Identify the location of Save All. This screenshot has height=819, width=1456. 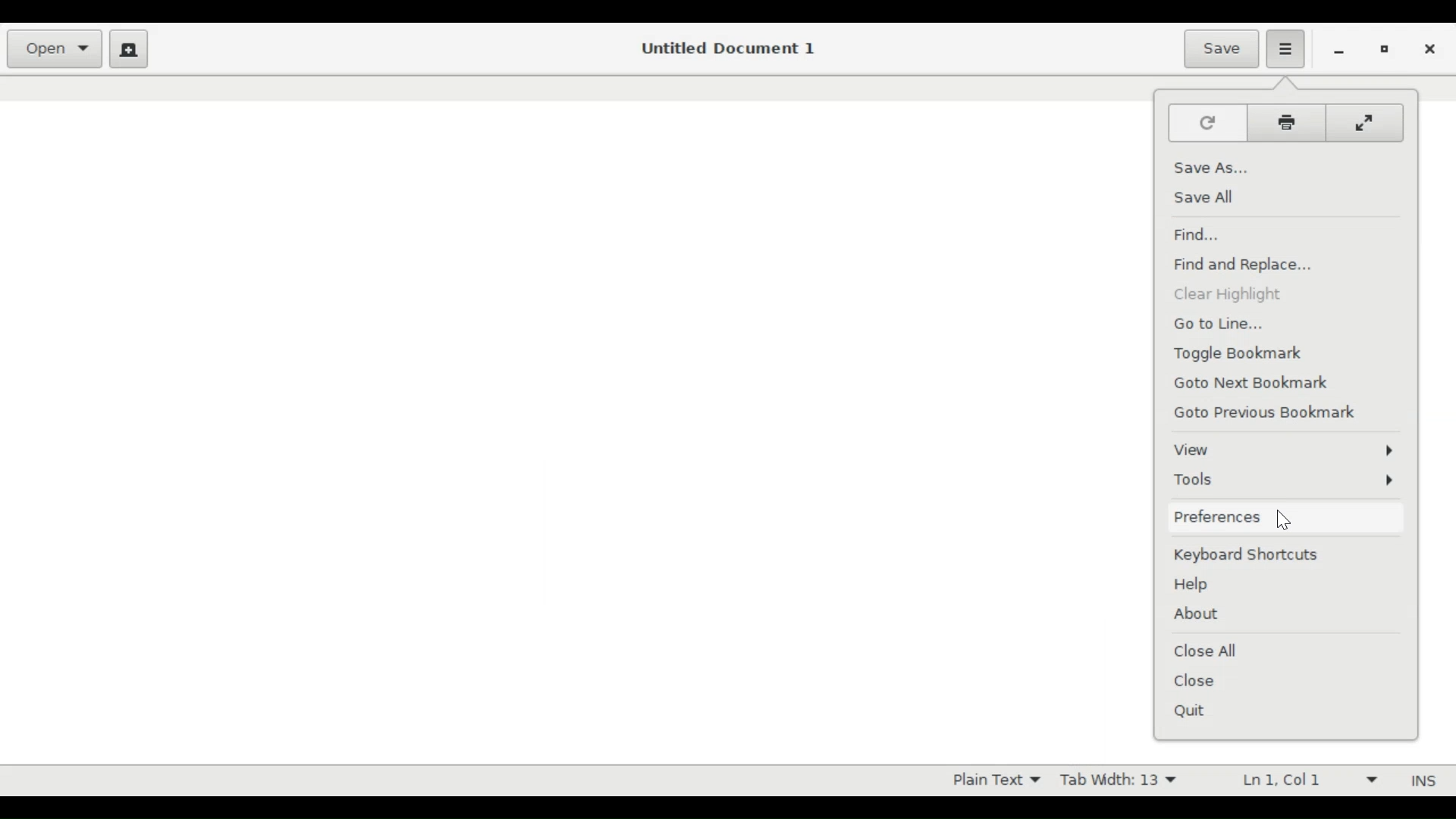
(1208, 198).